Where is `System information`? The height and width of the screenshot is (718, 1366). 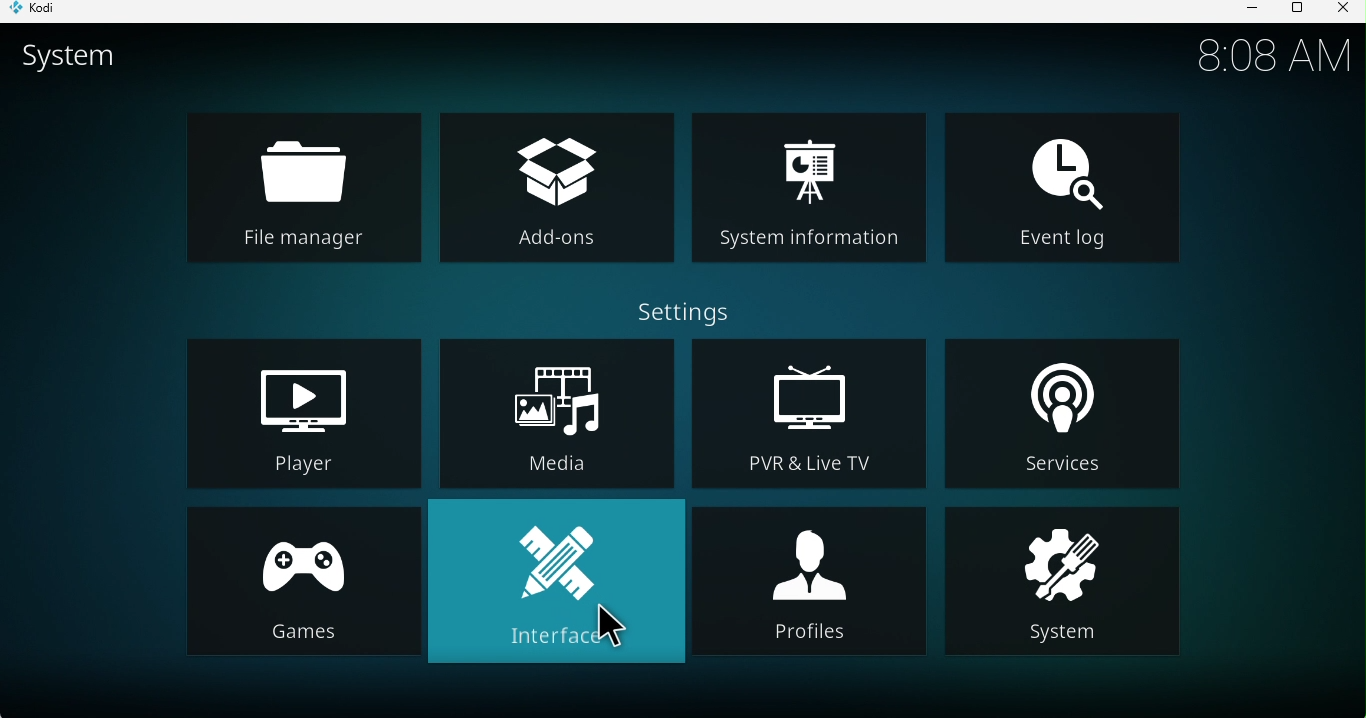
System information is located at coordinates (804, 186).